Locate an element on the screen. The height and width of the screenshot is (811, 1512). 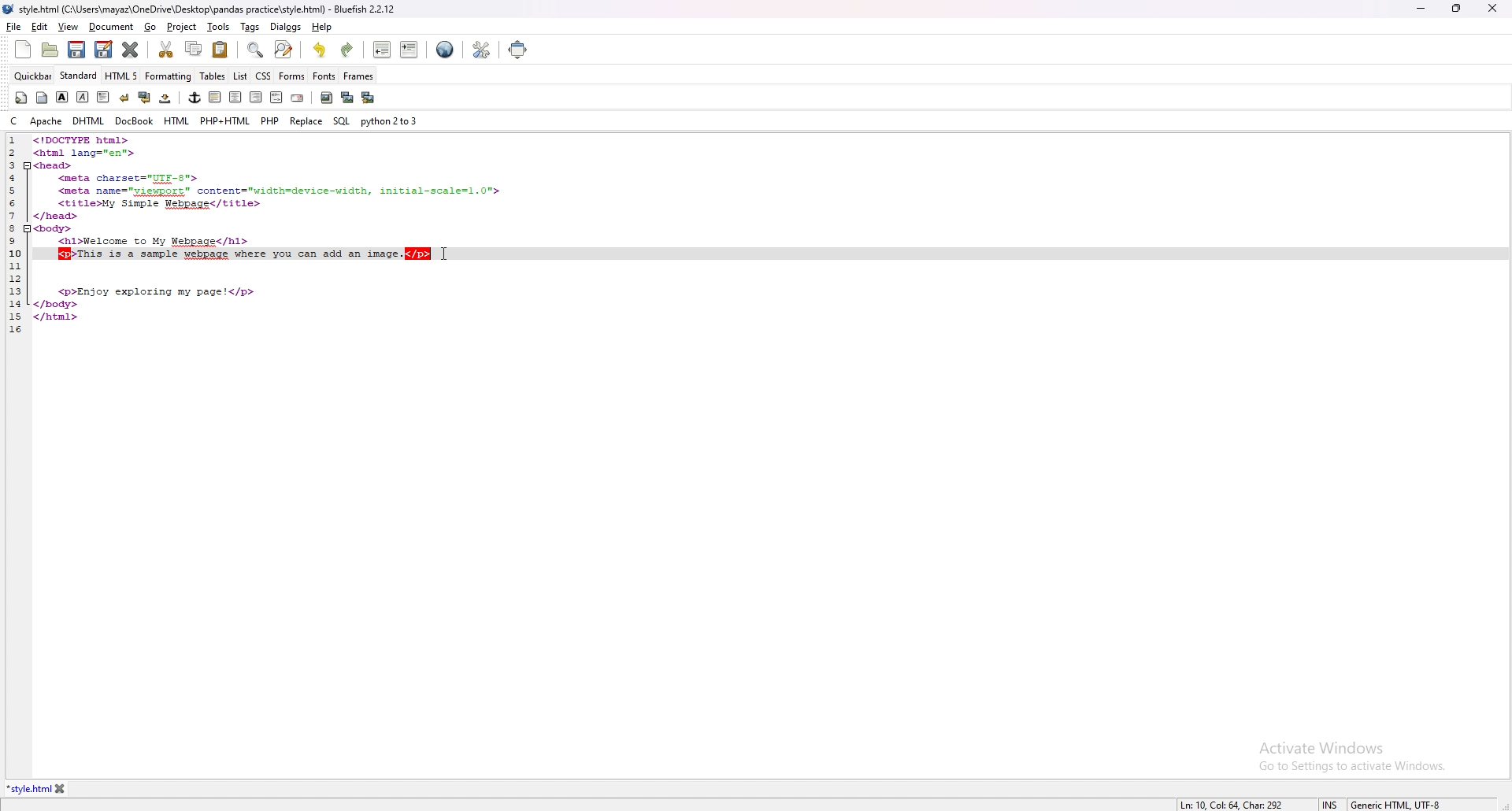
php+html is located at coordinates (226, 121).